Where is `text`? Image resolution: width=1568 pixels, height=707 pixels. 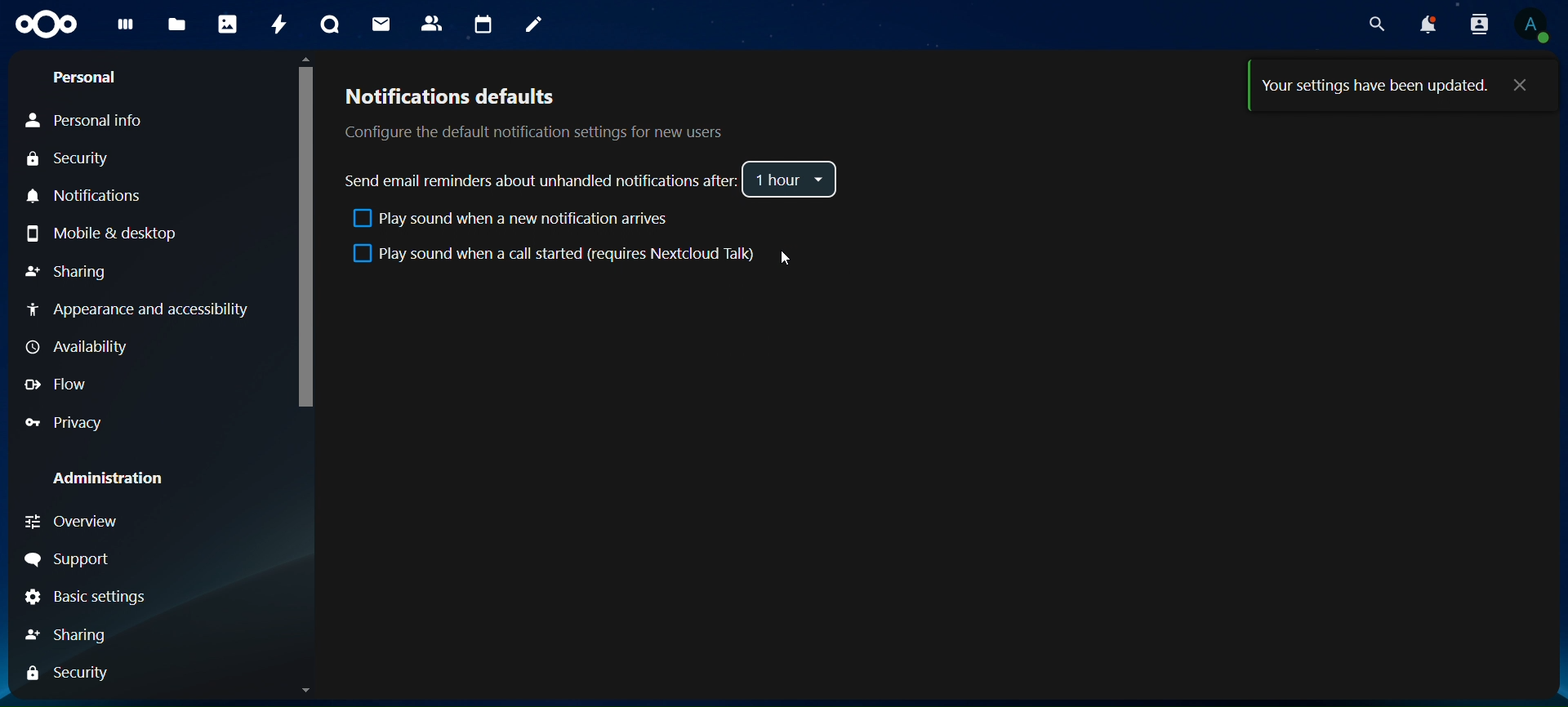 text is located at coordinates (1373, 88).